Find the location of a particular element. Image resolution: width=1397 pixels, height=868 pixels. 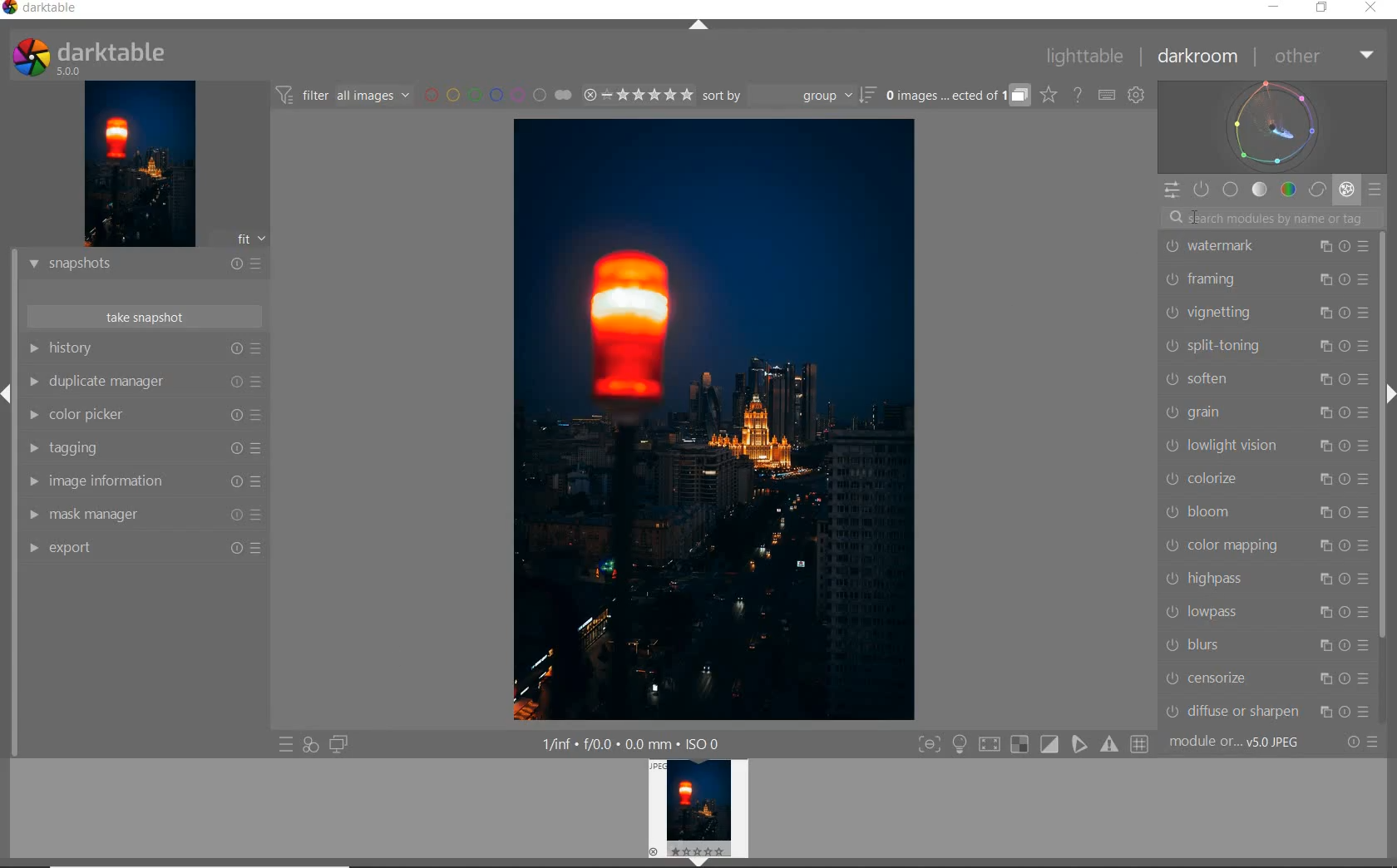

Multiple instance is located at coordinates (1323, 247).